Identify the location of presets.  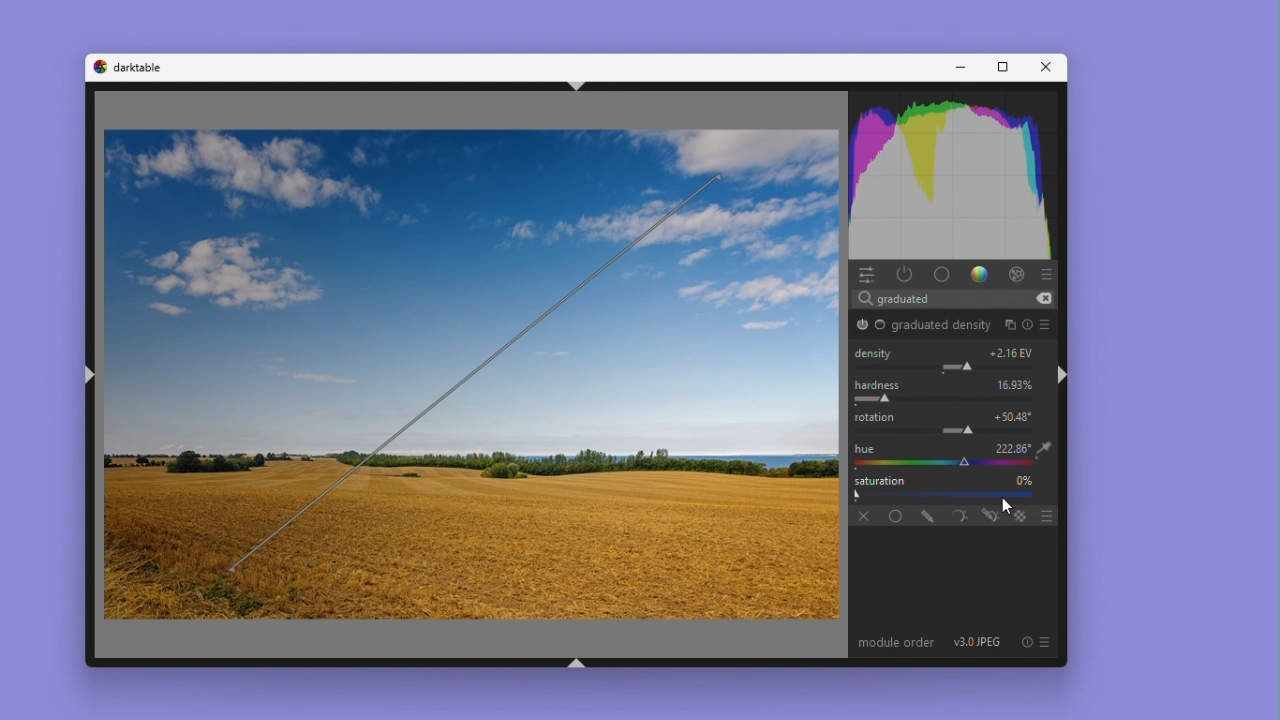
(1050, 272).